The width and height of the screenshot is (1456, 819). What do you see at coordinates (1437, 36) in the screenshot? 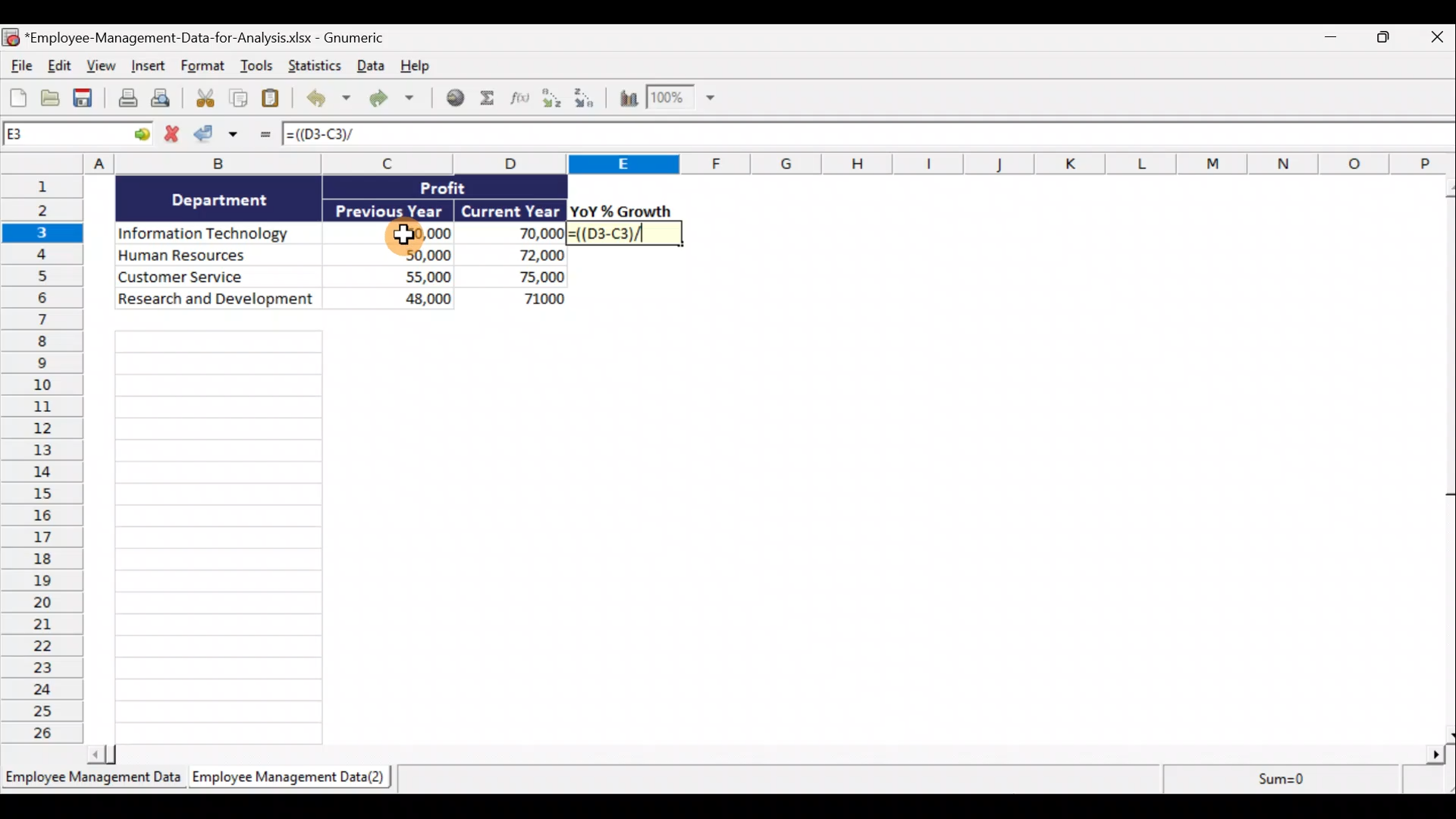
I see `Close` at bounding box center [1437, 36].